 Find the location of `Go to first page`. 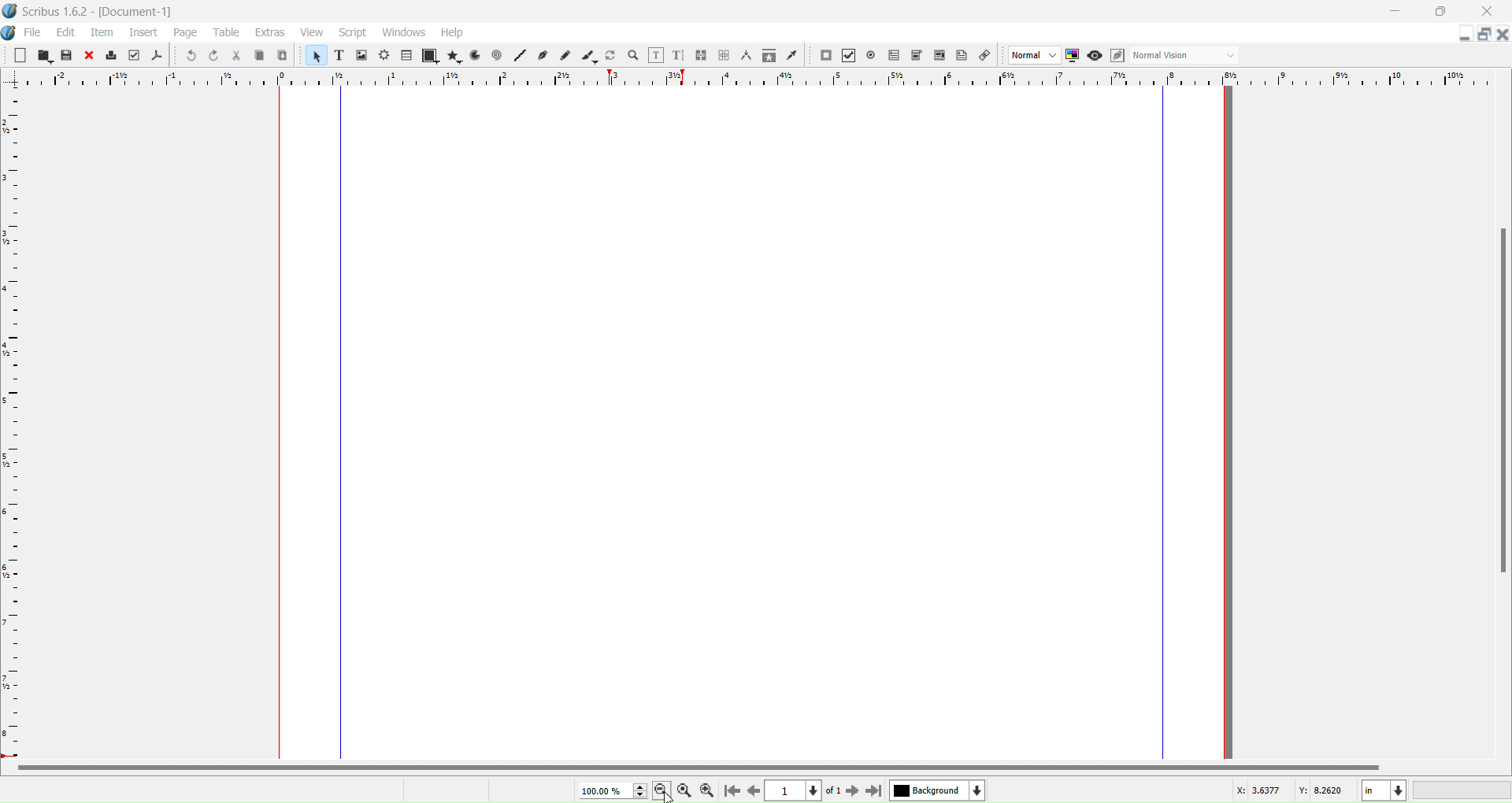

Go to first page is located at coordinates (730, 791).